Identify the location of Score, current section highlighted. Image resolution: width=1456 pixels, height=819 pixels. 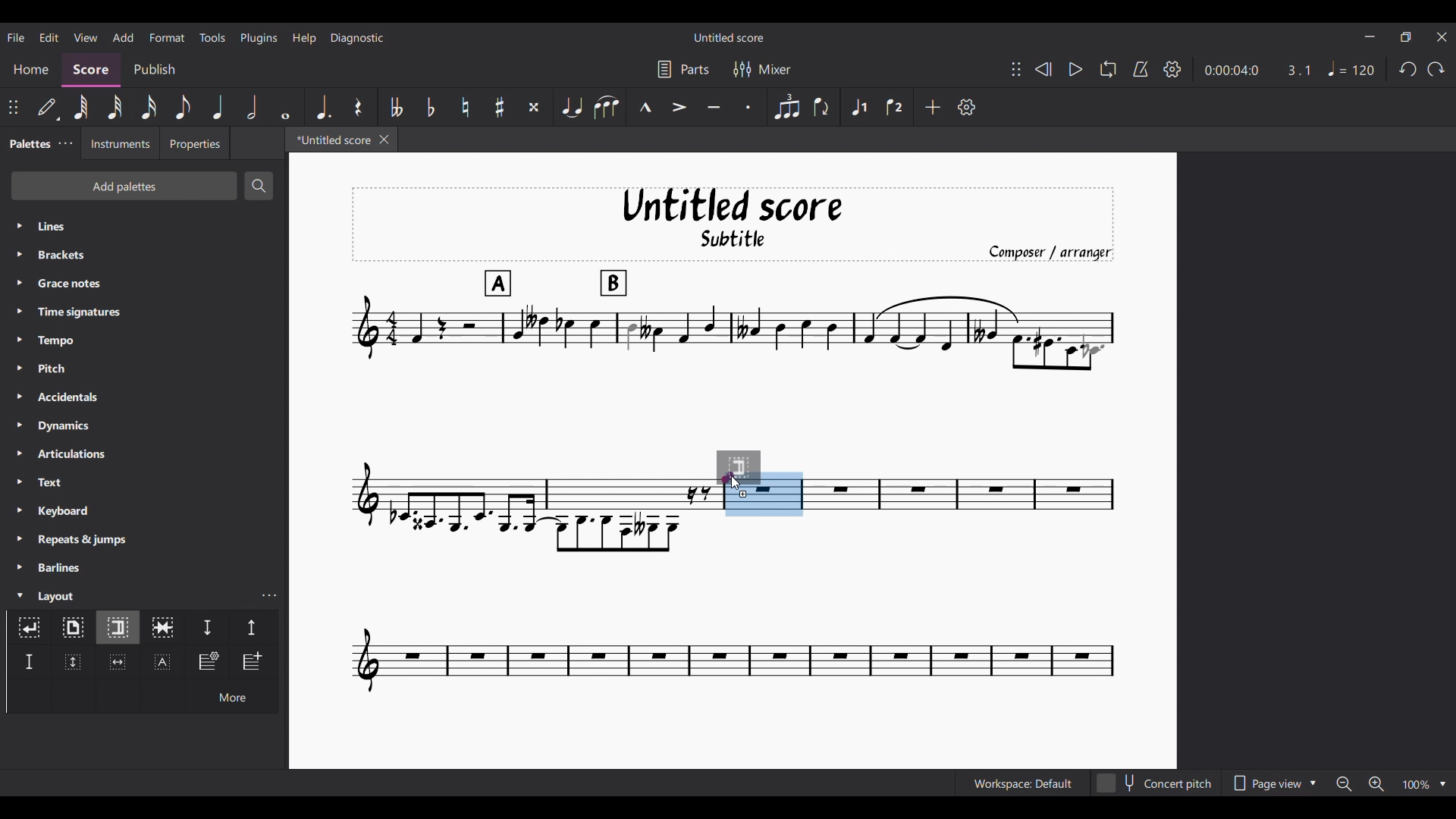
(91, 70).